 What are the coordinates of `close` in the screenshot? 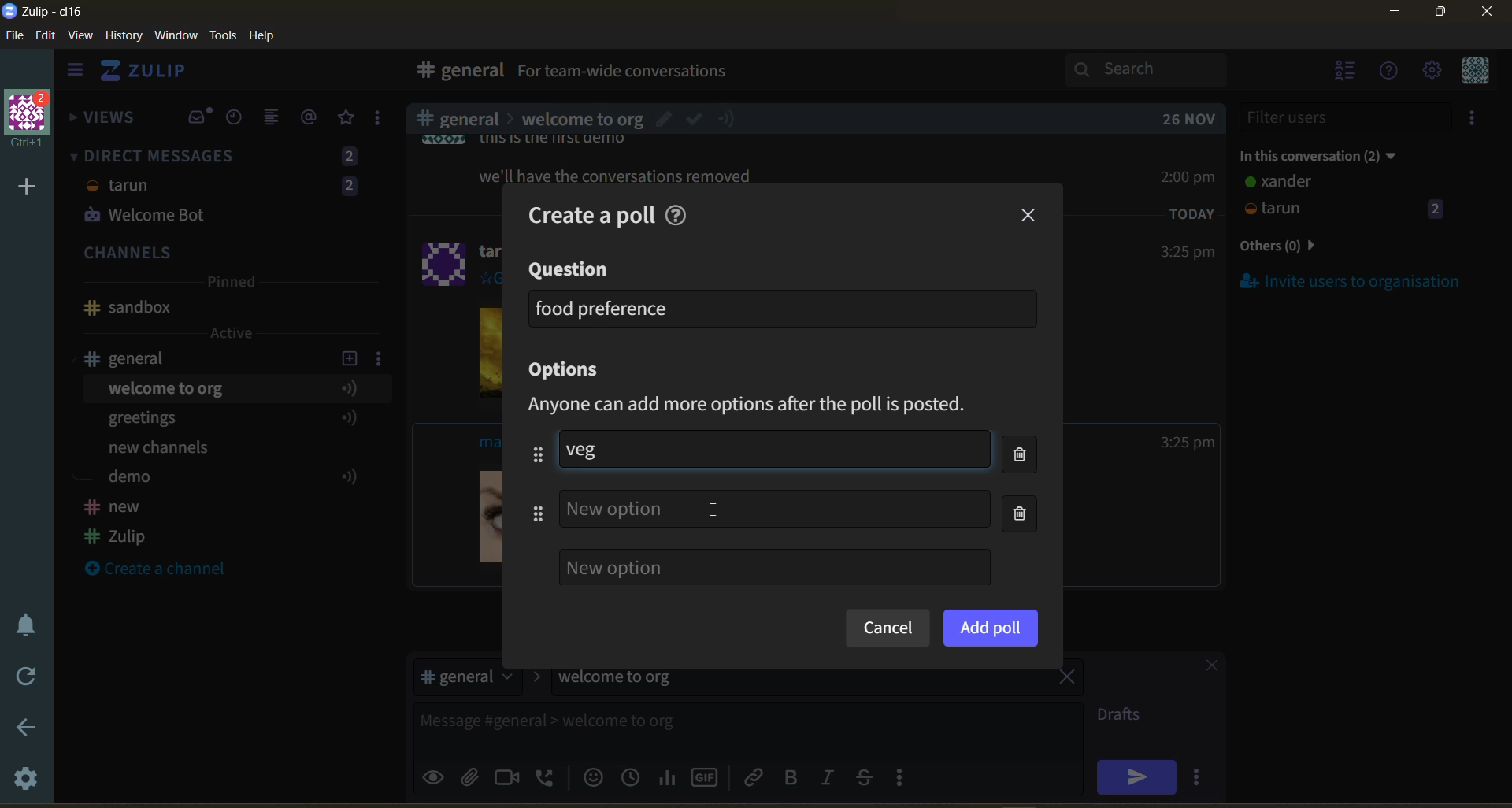 It's located at (1030, 216).